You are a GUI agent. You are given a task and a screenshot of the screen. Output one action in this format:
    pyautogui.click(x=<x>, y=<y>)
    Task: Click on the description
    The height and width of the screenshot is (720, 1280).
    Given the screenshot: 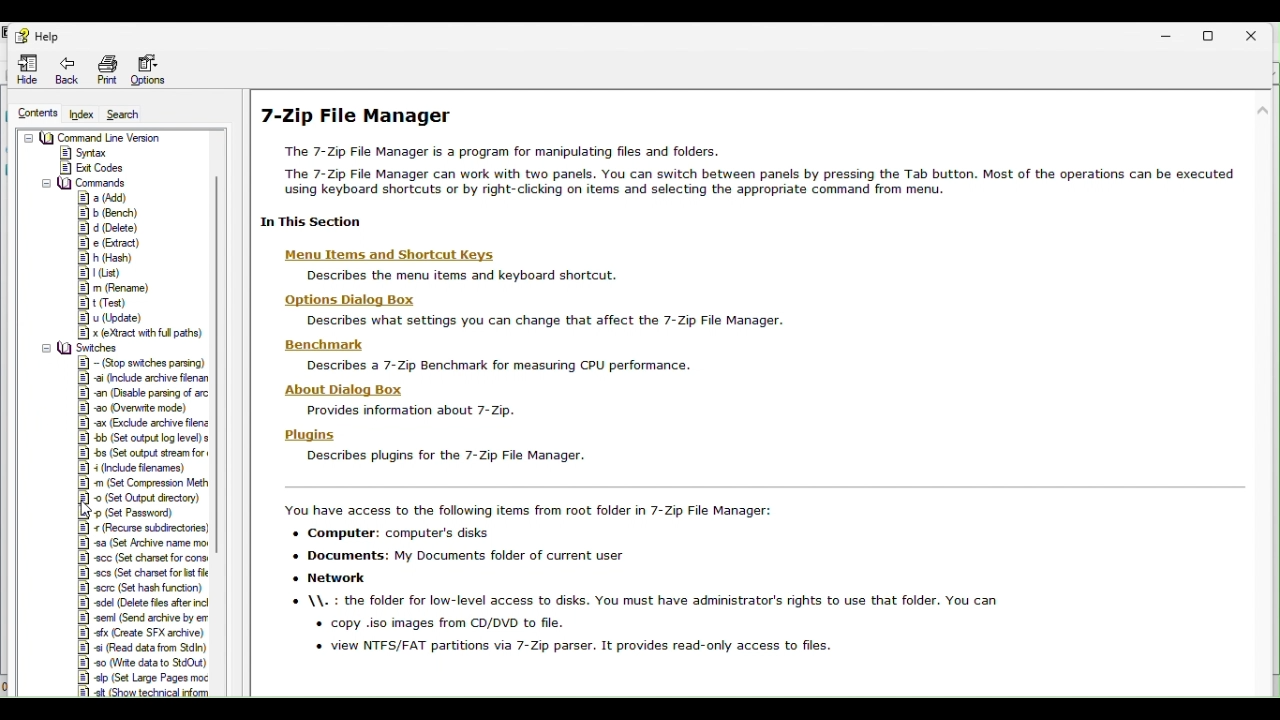 What is the action you would take?
    pyautogui.click(x=466, y=275)
    